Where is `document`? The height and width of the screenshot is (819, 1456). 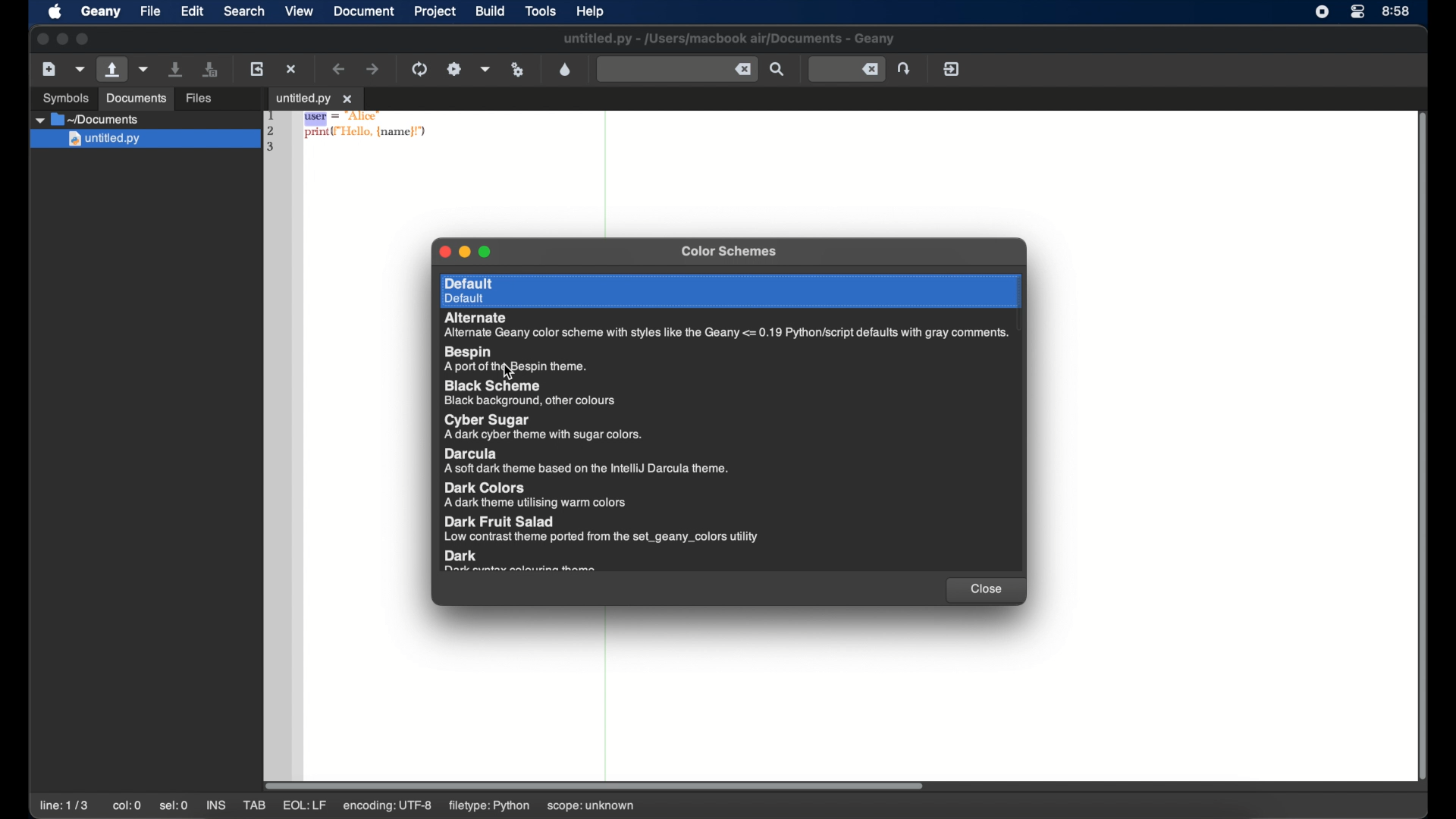 document is located at coordinates (365, 11).